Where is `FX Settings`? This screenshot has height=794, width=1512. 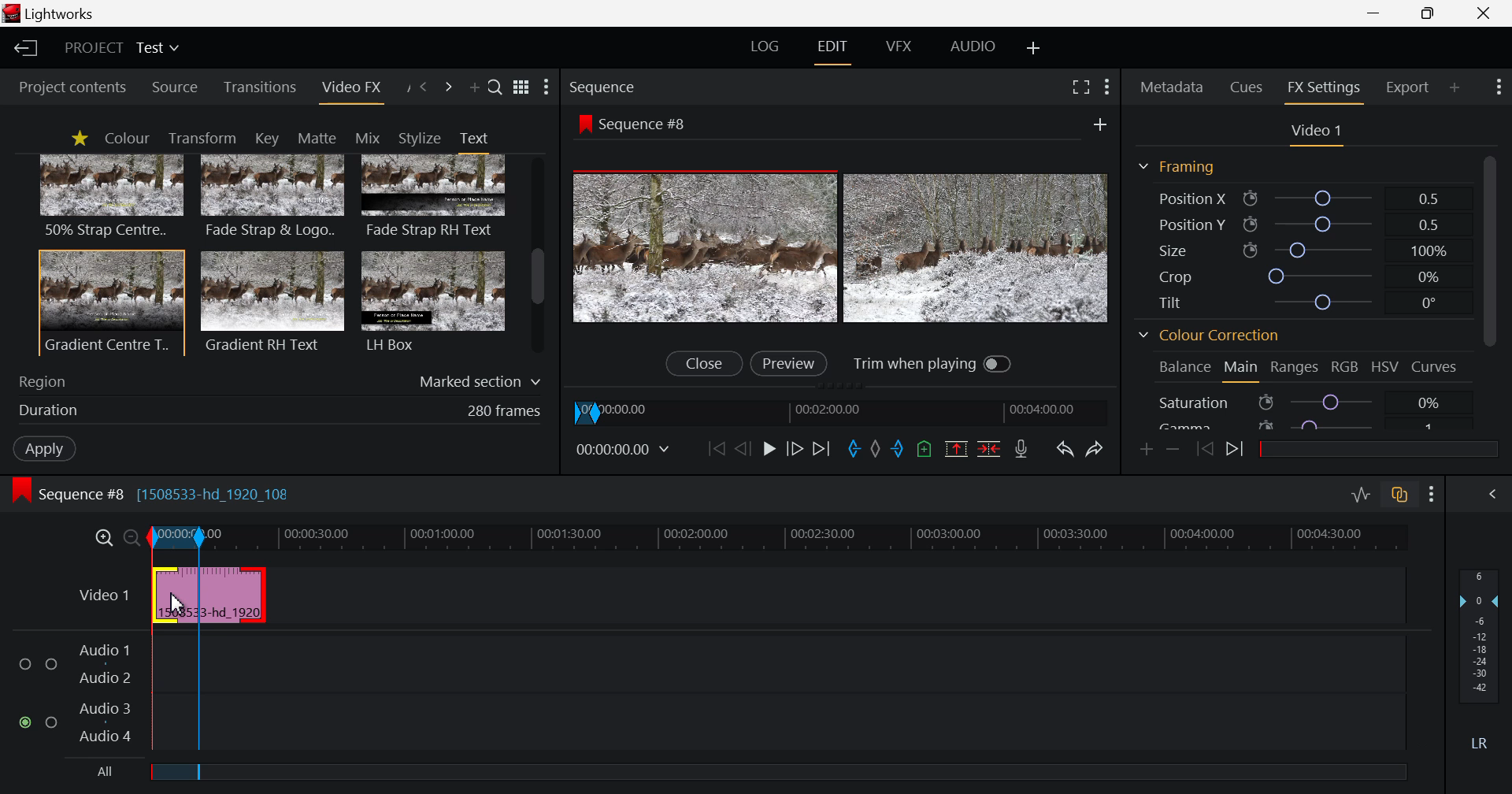 FX Settings is located at coordinates (1323, 87).